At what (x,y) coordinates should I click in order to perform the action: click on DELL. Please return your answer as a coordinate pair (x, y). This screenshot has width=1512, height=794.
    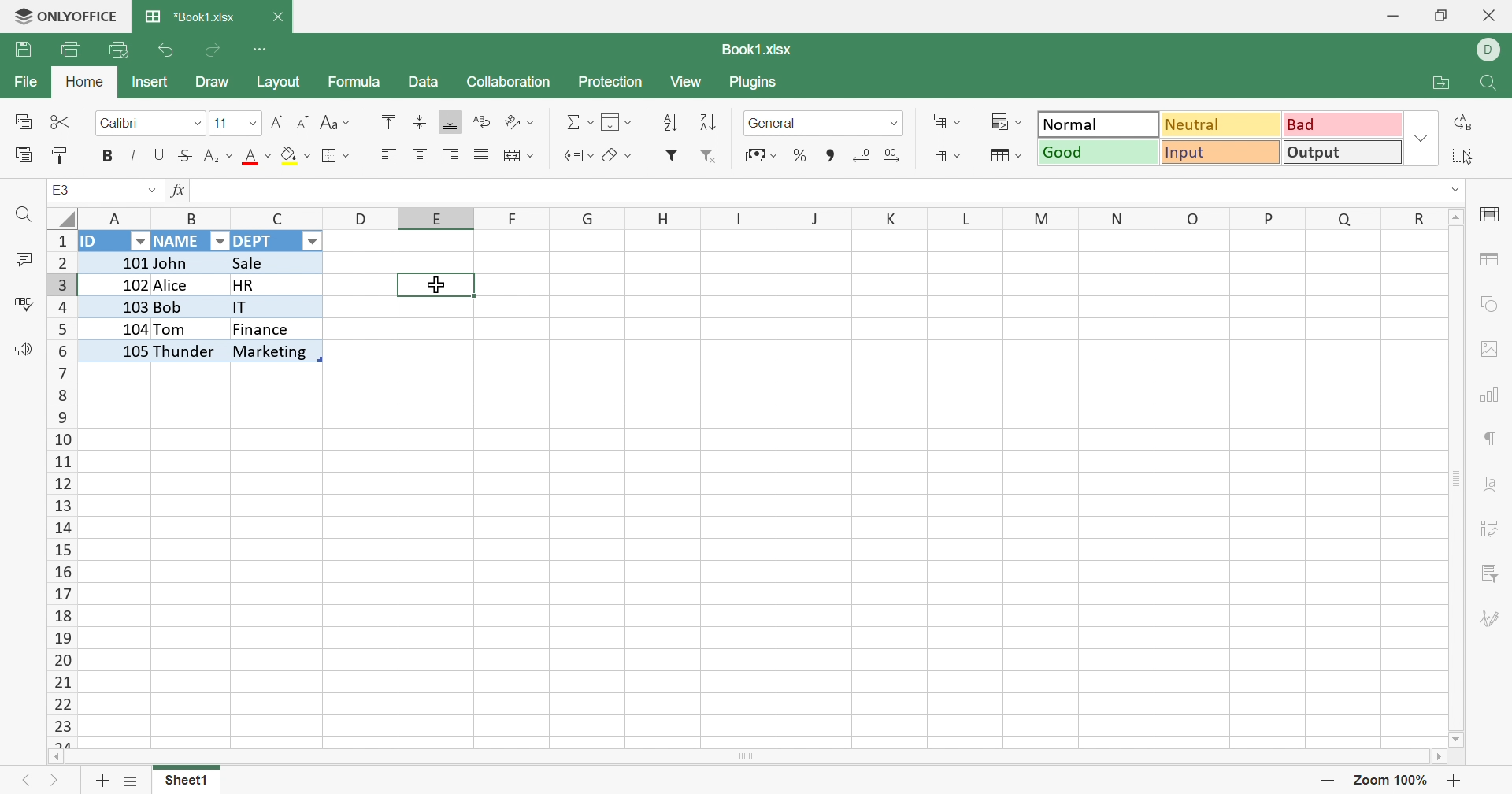
    Looking at the image, I should click on (1492, 50).